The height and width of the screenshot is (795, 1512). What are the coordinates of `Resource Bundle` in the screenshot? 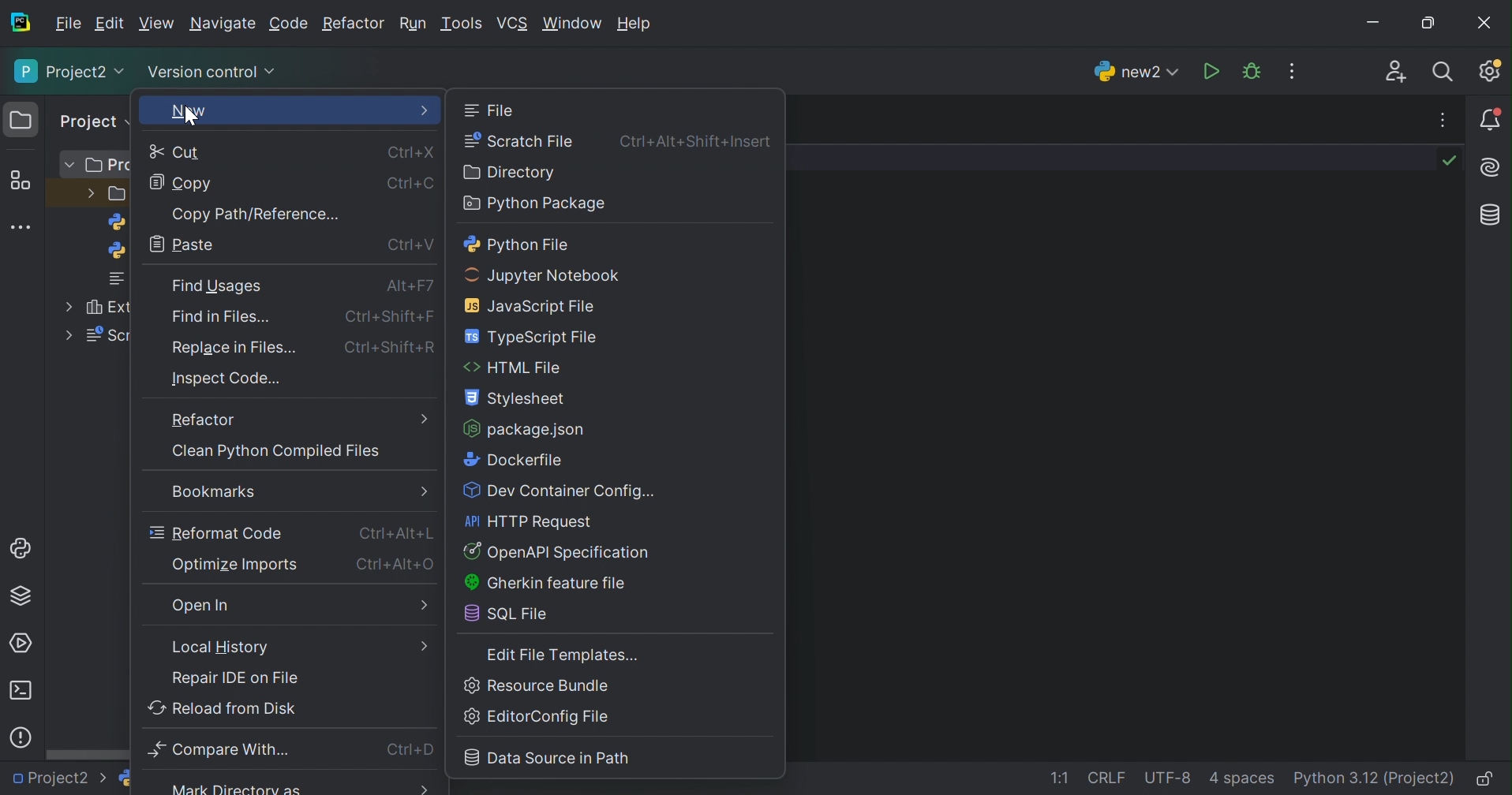 It's located at (539, 685).